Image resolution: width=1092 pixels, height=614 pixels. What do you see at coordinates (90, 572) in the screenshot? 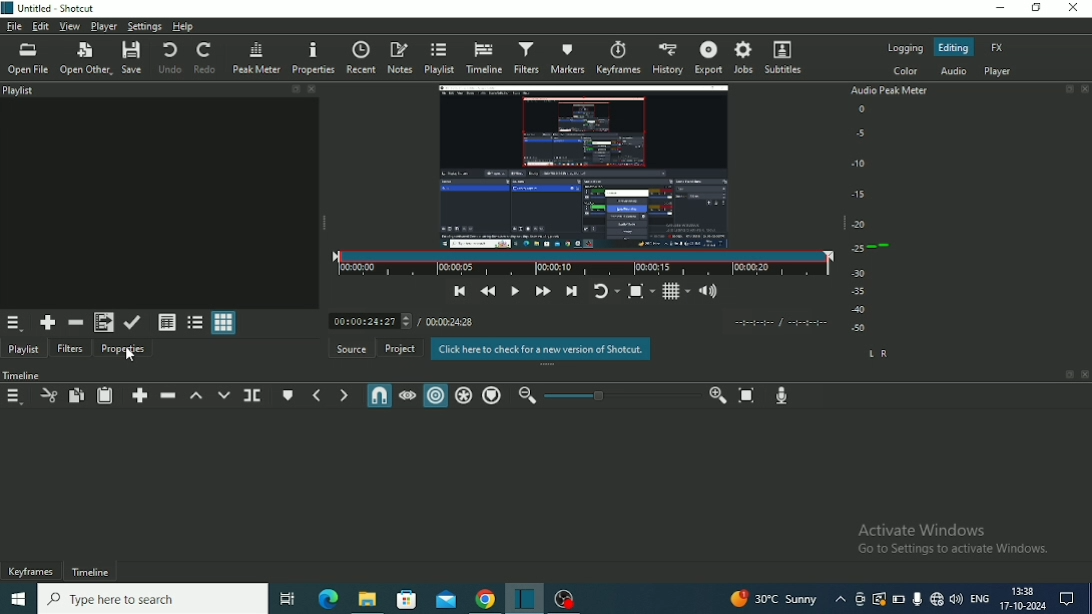
I see `Timeline` at bounding box center [90, 572].